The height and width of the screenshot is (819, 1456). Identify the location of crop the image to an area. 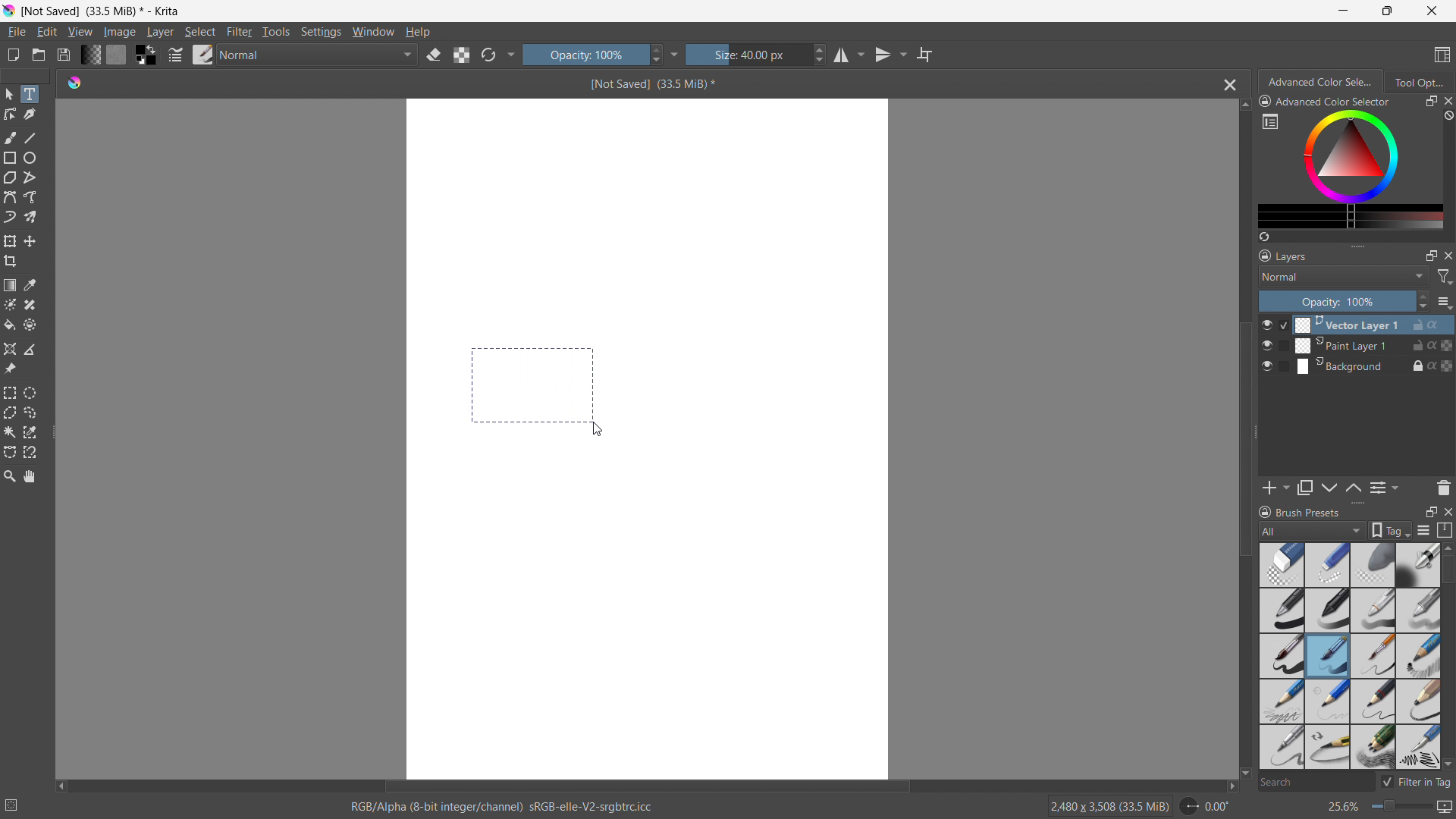
(11, 261).